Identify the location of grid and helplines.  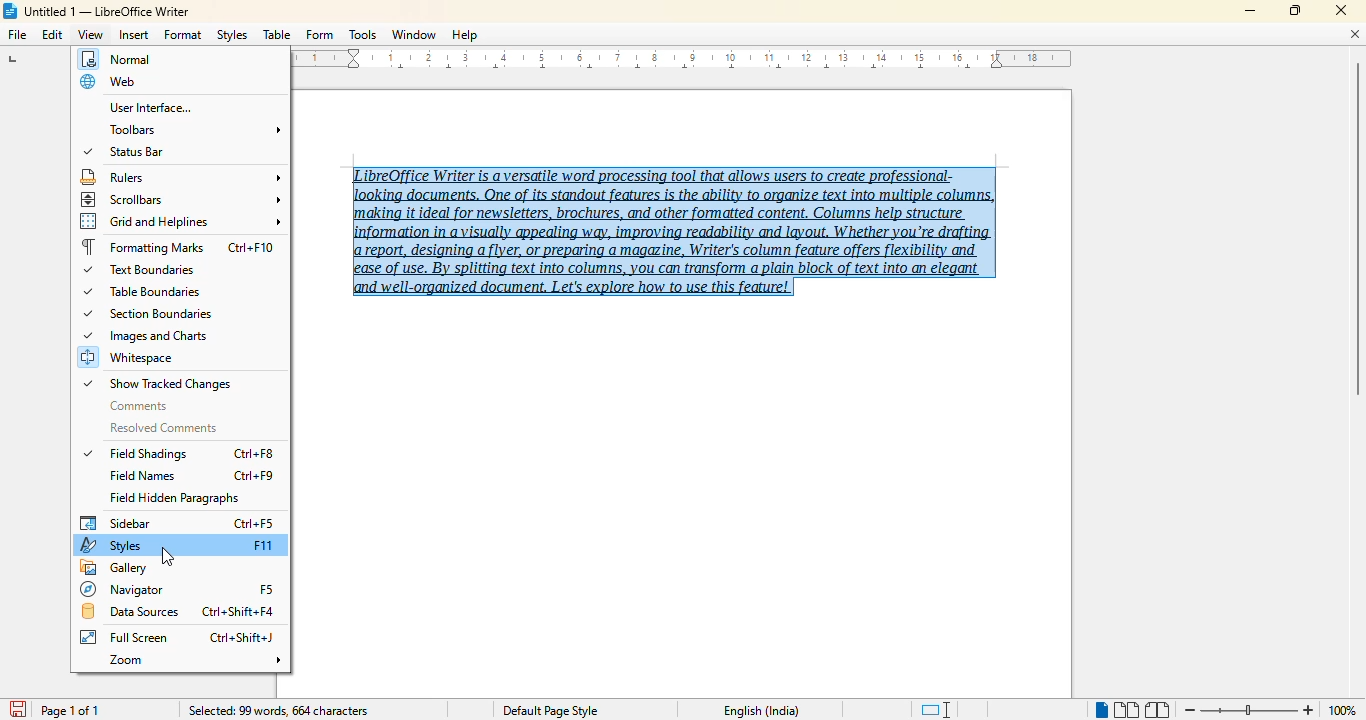
(181, 221).